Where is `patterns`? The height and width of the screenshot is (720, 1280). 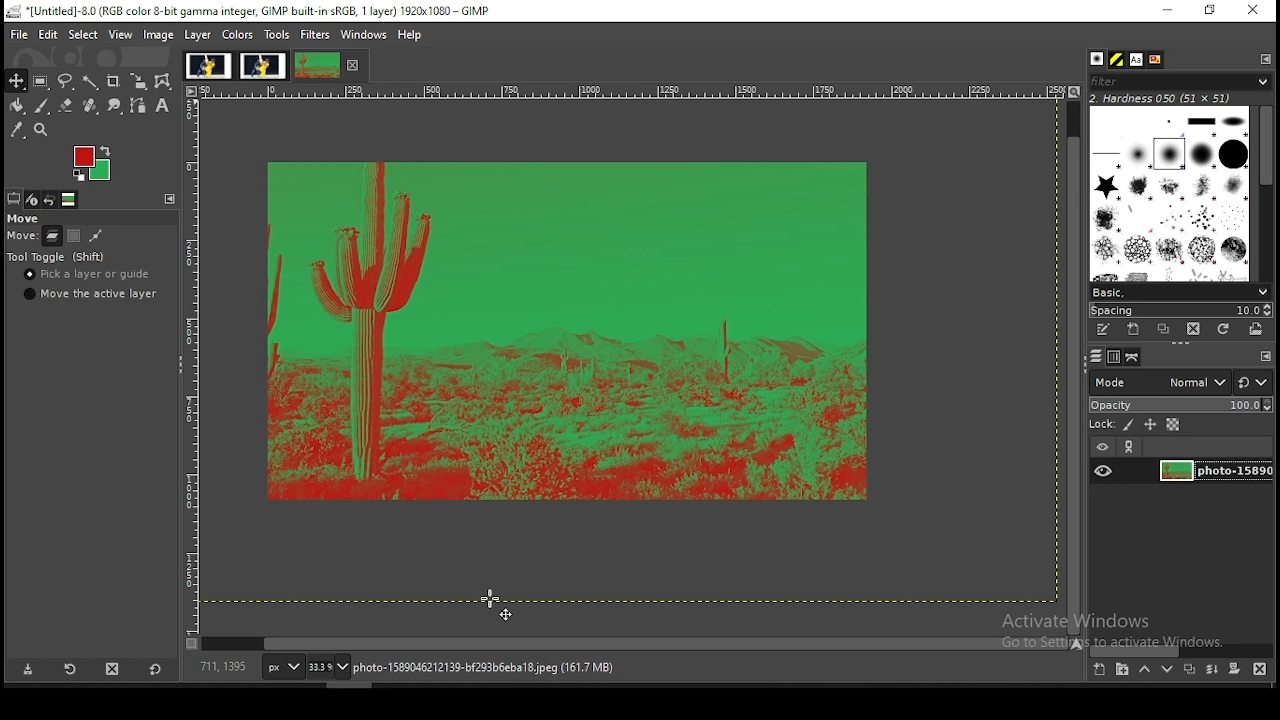 patterns is located at coordinates (1118, 59).